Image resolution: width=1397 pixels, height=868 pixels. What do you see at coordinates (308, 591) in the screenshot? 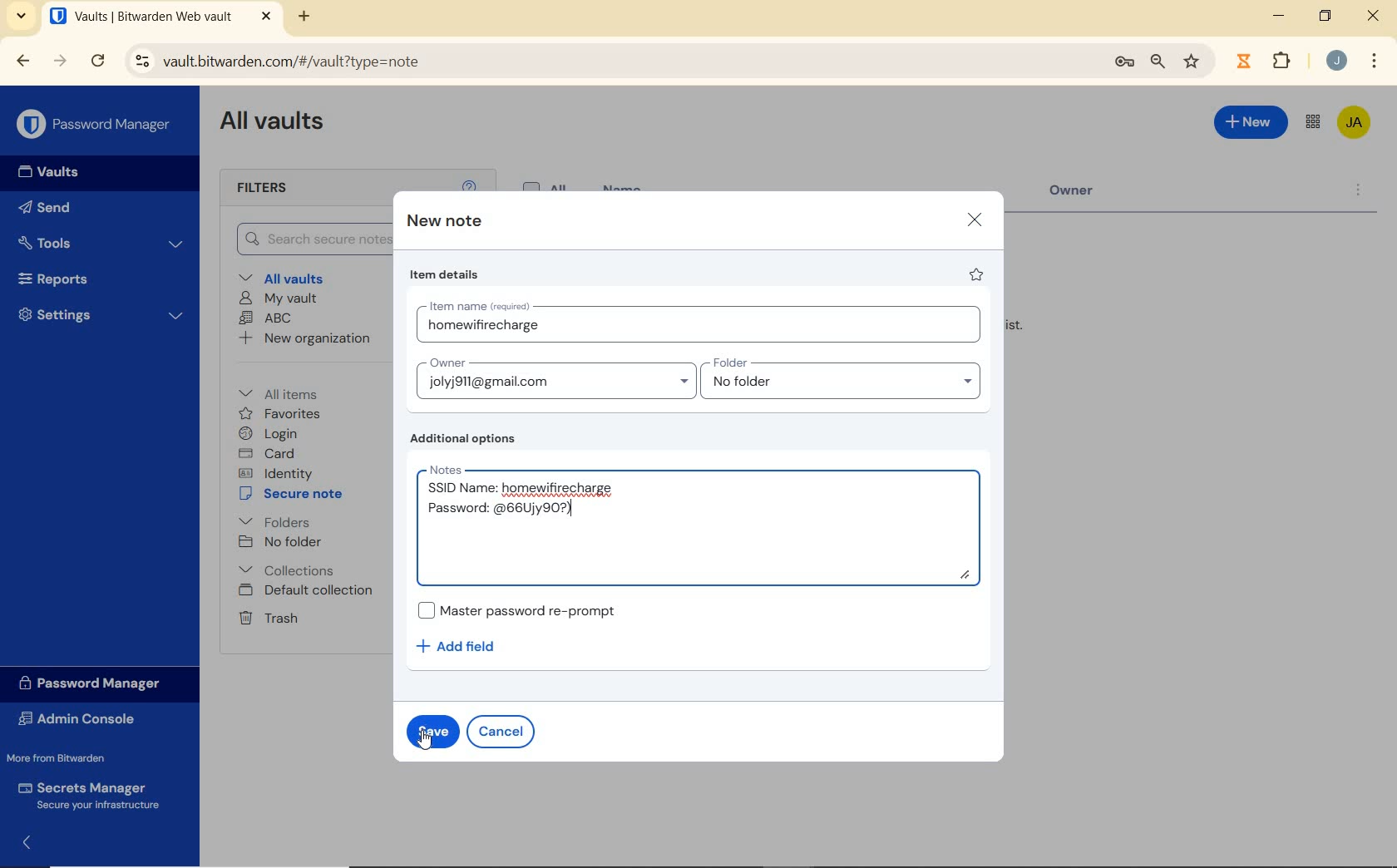
I see `Default collection` at bounding box center [308, 591].